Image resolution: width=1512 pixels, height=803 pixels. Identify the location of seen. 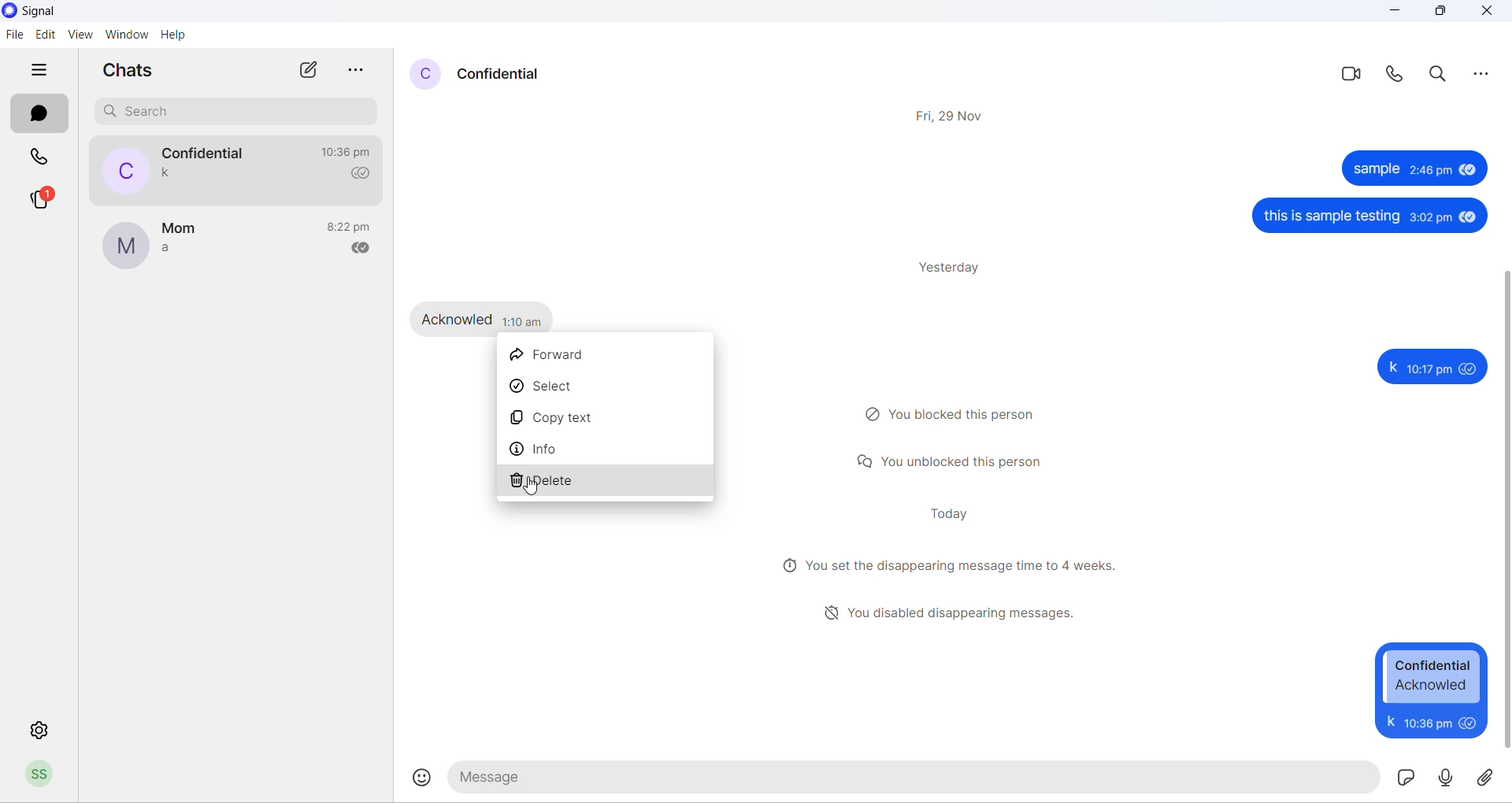
(1466, 168).